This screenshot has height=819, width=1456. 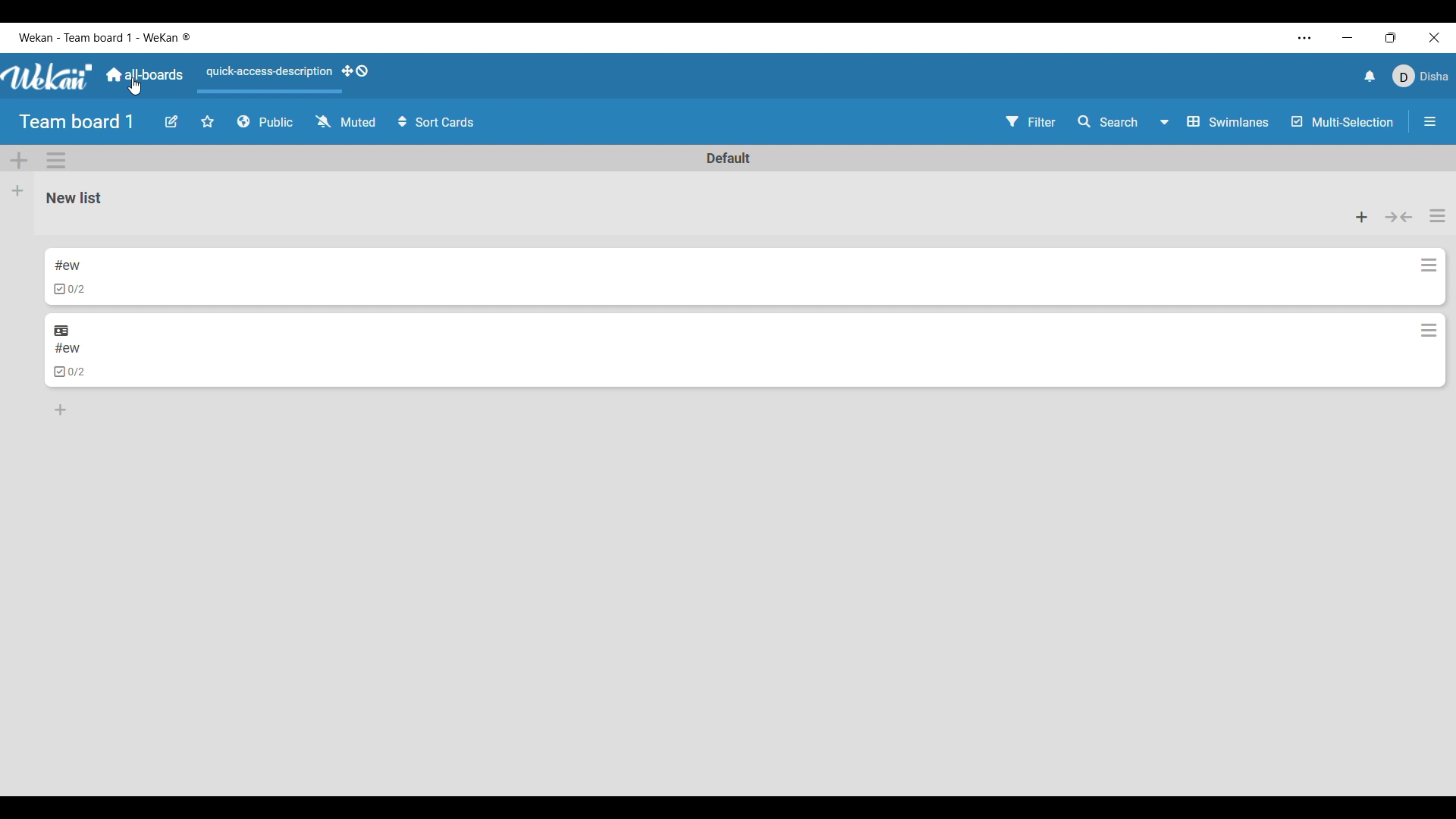 What do you see at coordinates (1305, 39) in the screenshot?
I see `More settings` at bounding box center [1305, 39].